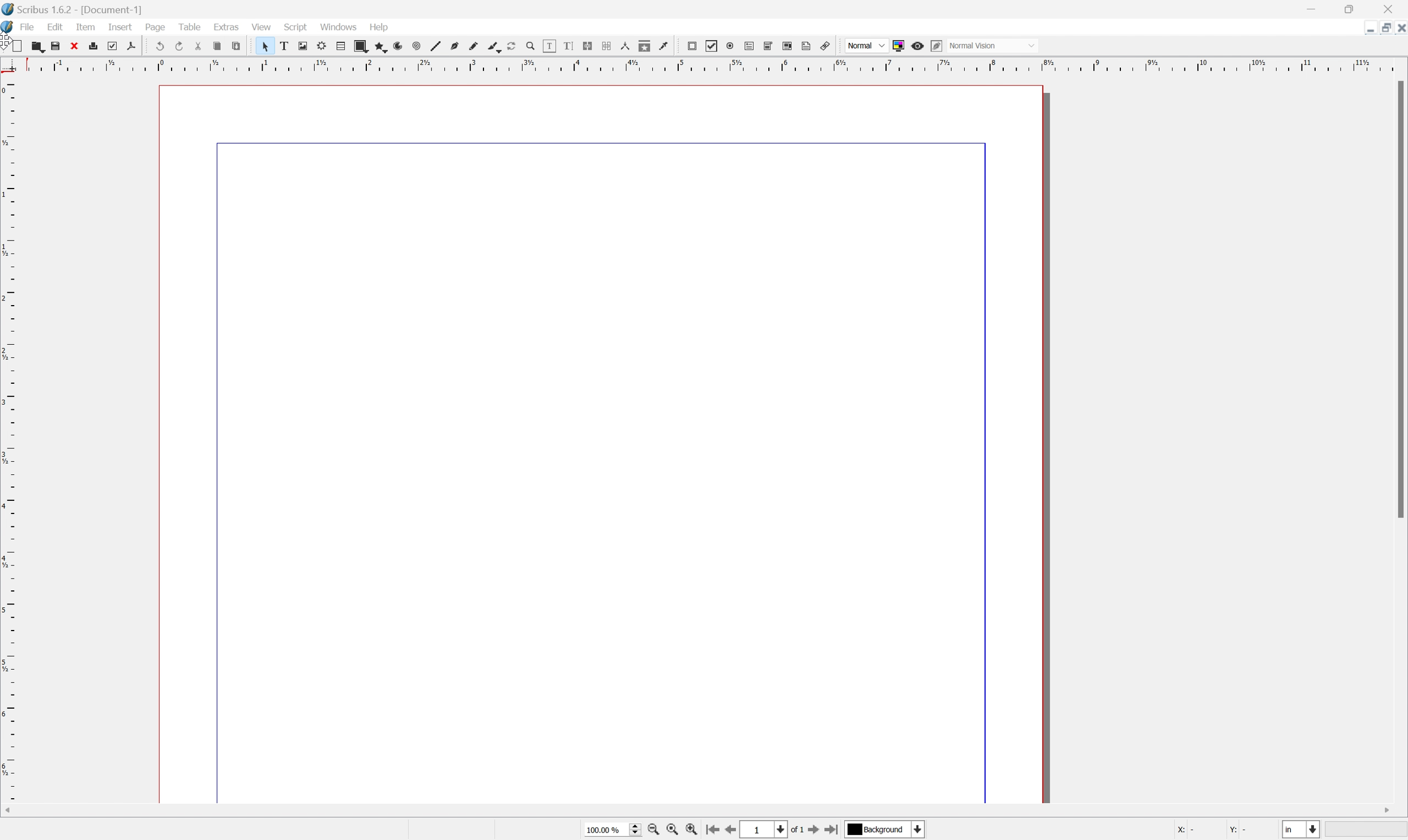 The height and width of the screenshot is (840, 1408). I want to click on pdf radio button, so click(731, 46).